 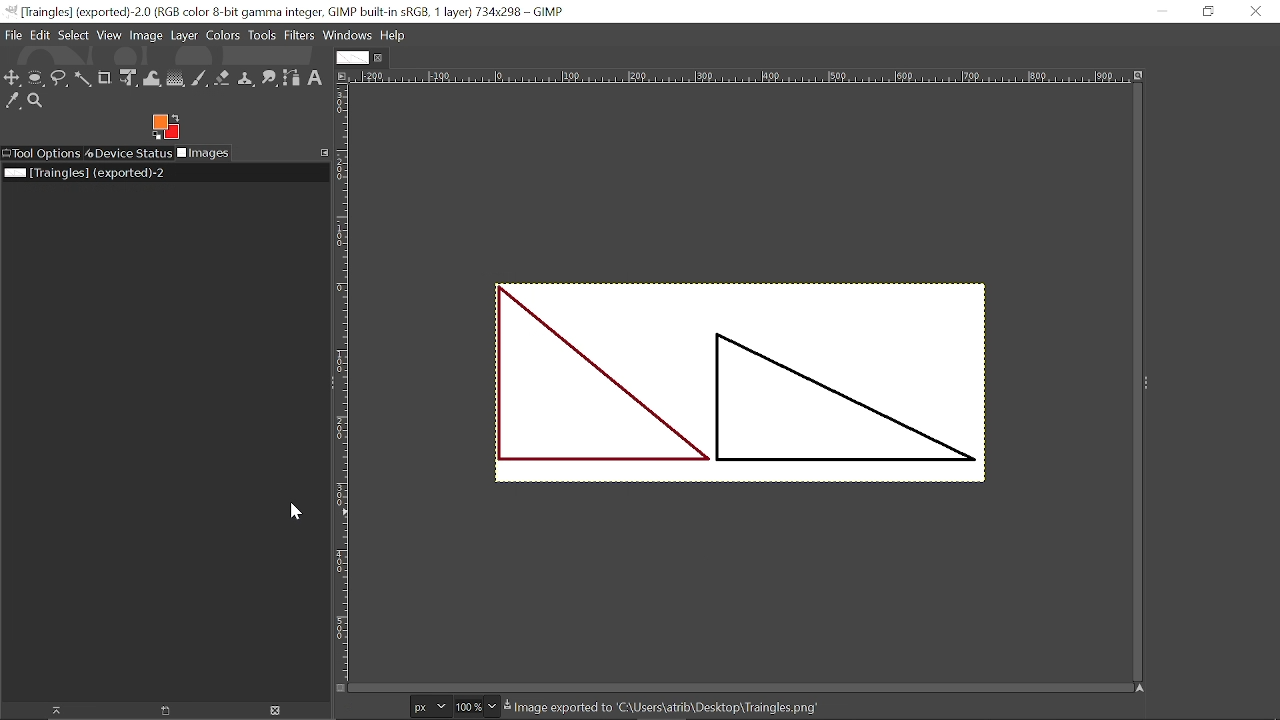 What do you see at coordinates (153, 79) in the screenshot?
I see `Wrap transform` at bounding box center [153, 79].